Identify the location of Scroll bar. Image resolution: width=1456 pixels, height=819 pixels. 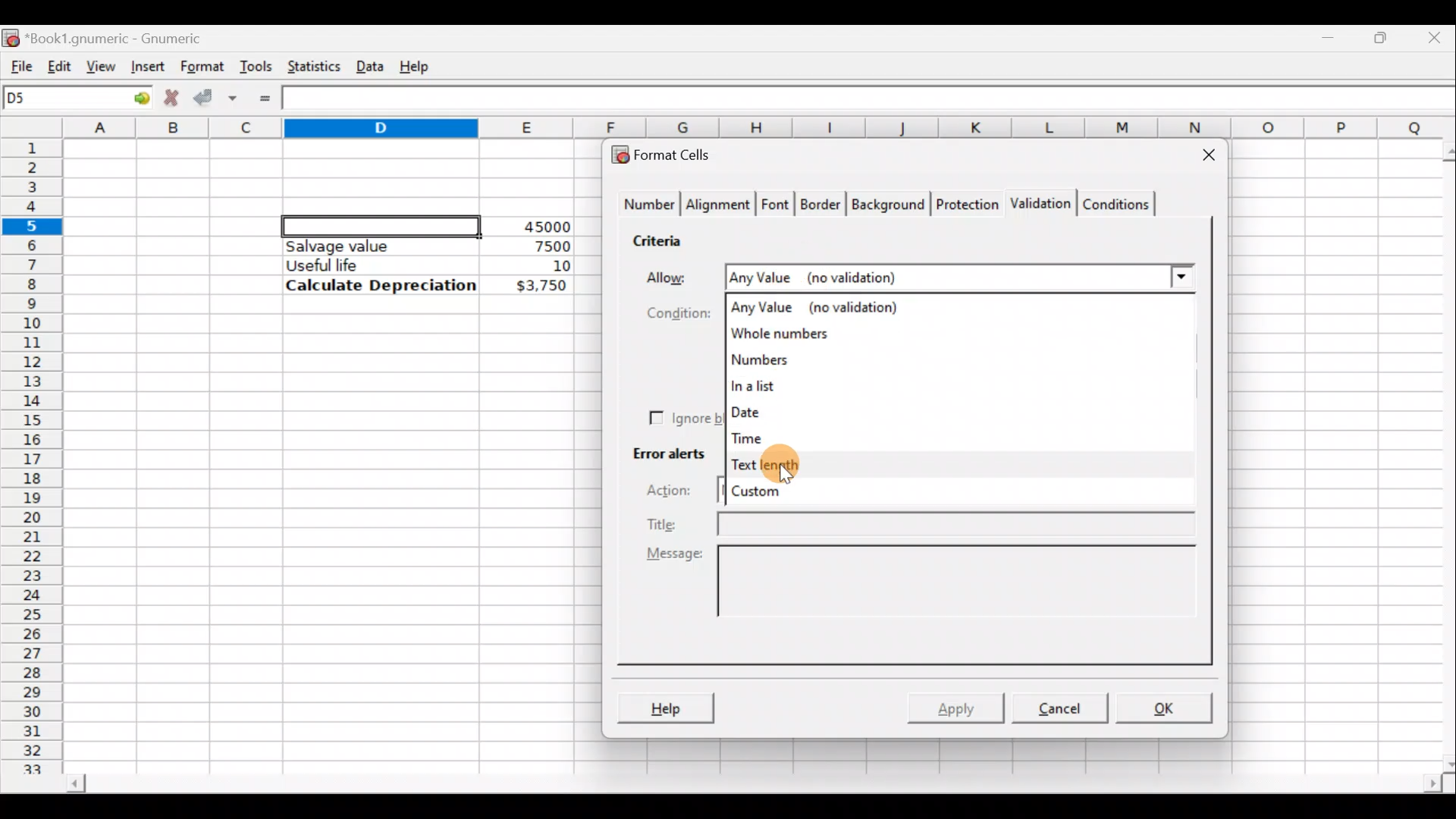
(752, 786).